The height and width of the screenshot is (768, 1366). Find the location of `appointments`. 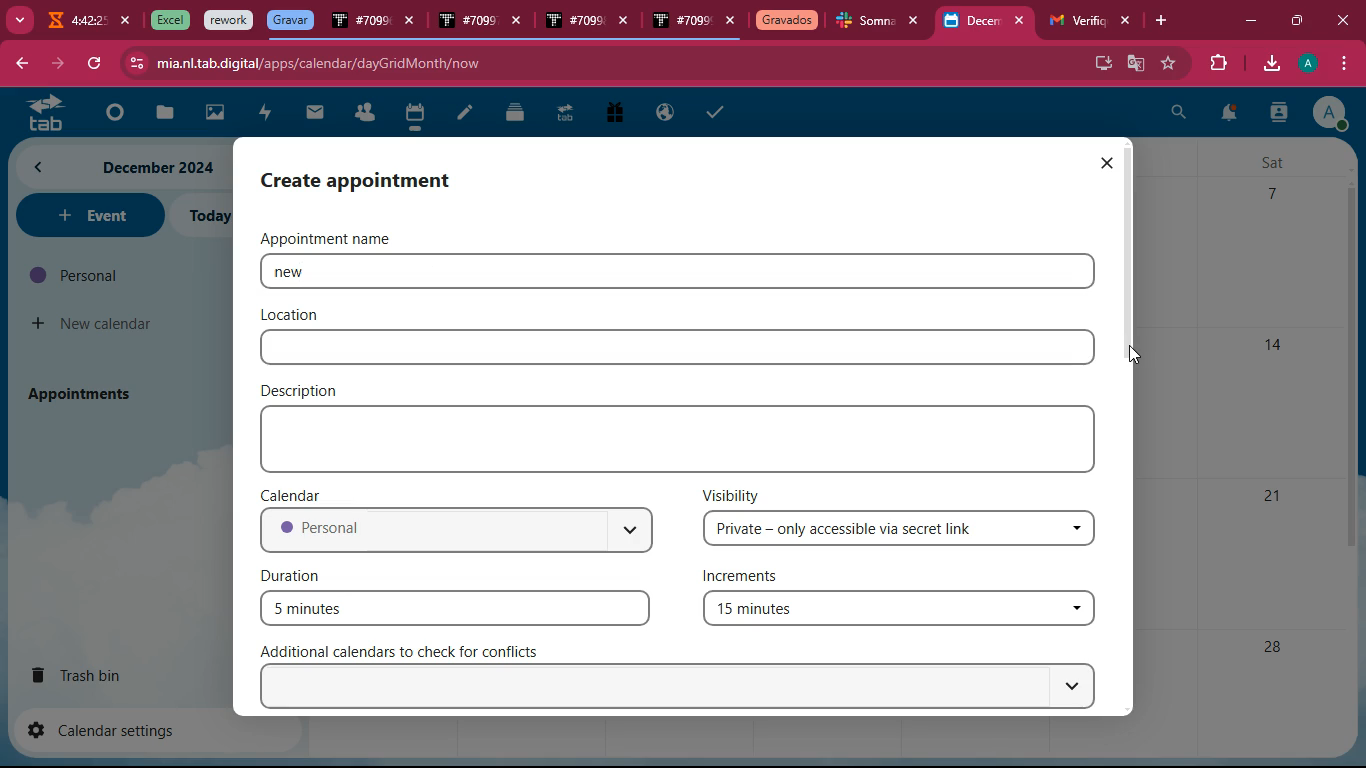

appointments is located at coordinates (86, 393).